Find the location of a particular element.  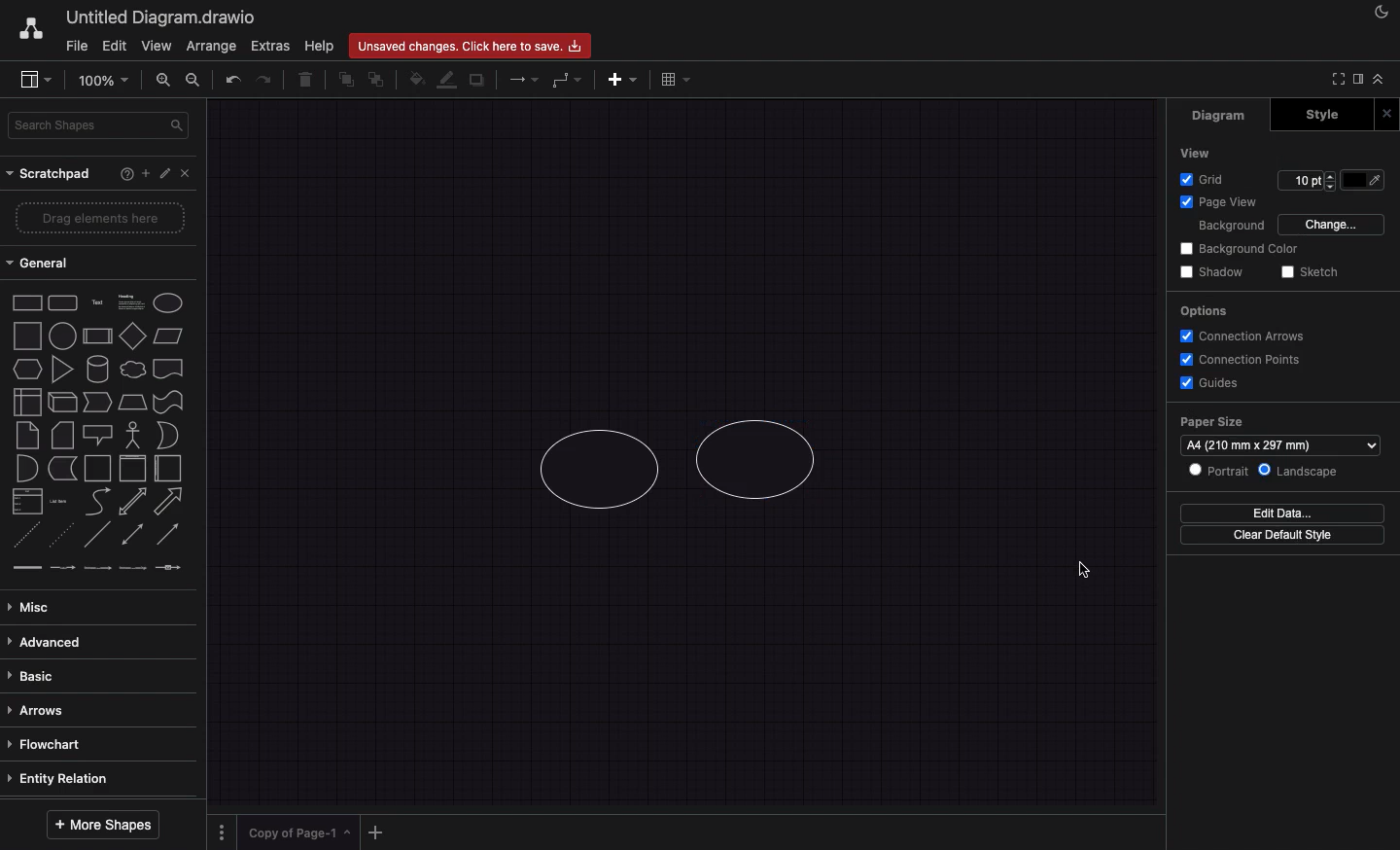

connector with symbol  is located at coordinates (167, 566).